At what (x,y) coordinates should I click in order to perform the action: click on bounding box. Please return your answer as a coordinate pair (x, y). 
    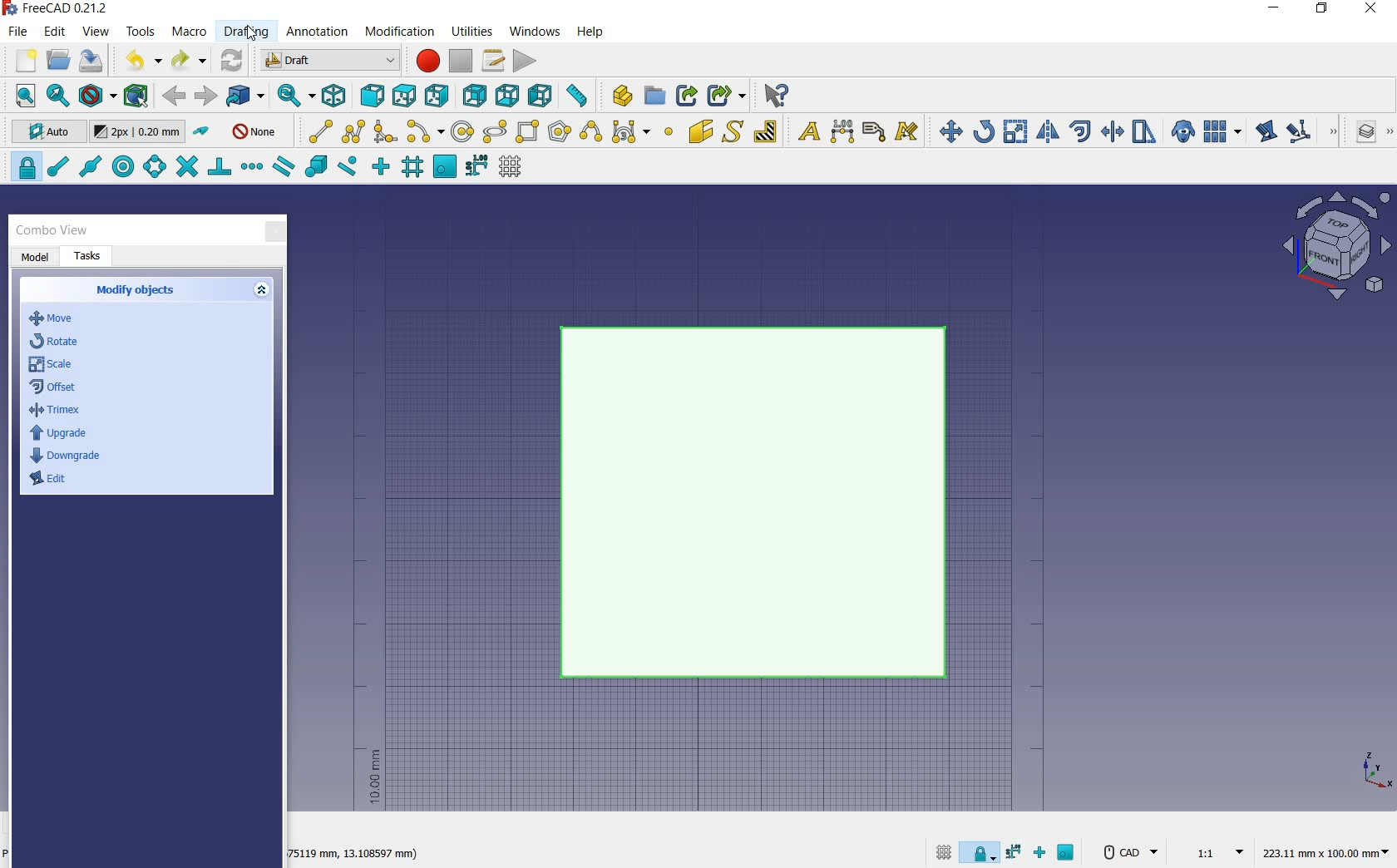
    Looking at the image, I should click on (137, 97).